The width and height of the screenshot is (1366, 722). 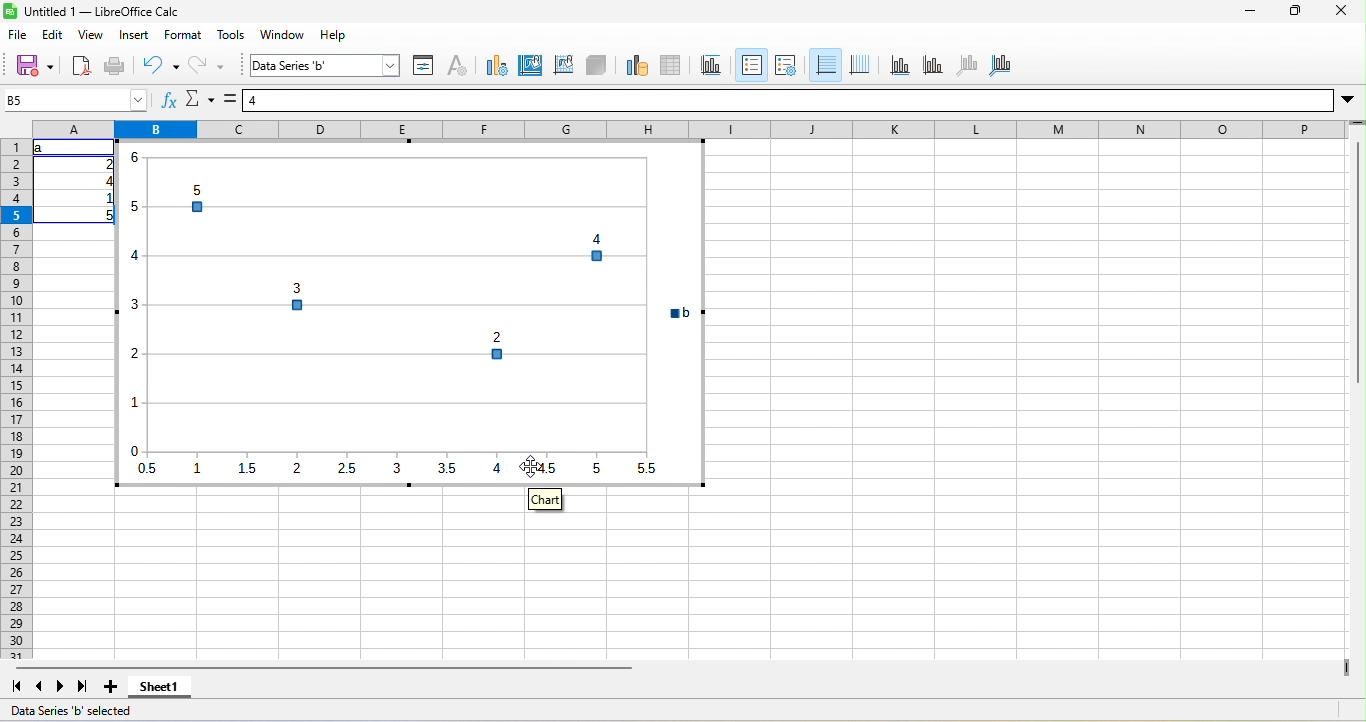 What do you see at coordinates (231, 35) in the screenshot?
I see `tools` at bounding box center [231, 35].